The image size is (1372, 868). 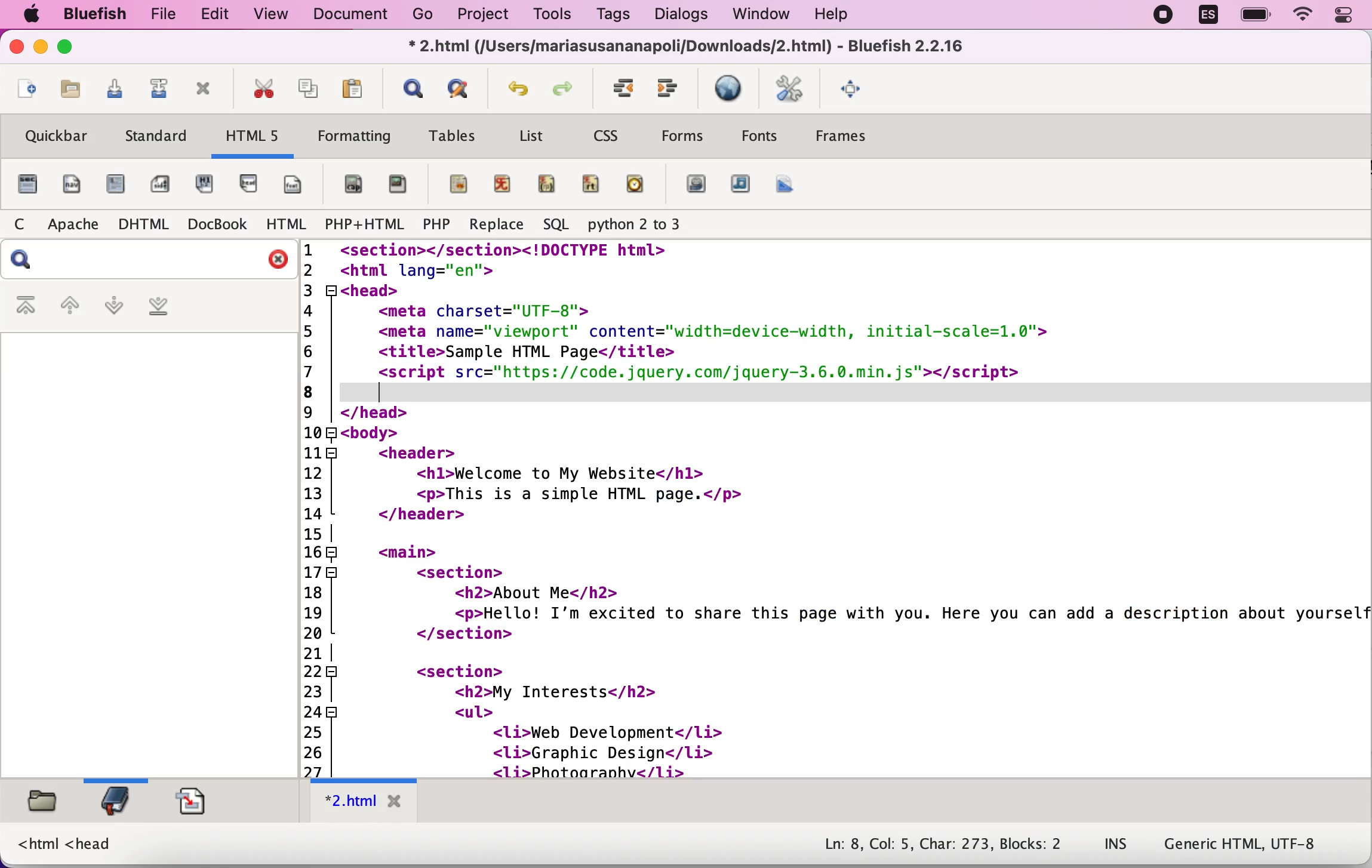 What do you see at coordinates (611, 134) in the screenshot?
I see `css` at bounding box center [611, 134].